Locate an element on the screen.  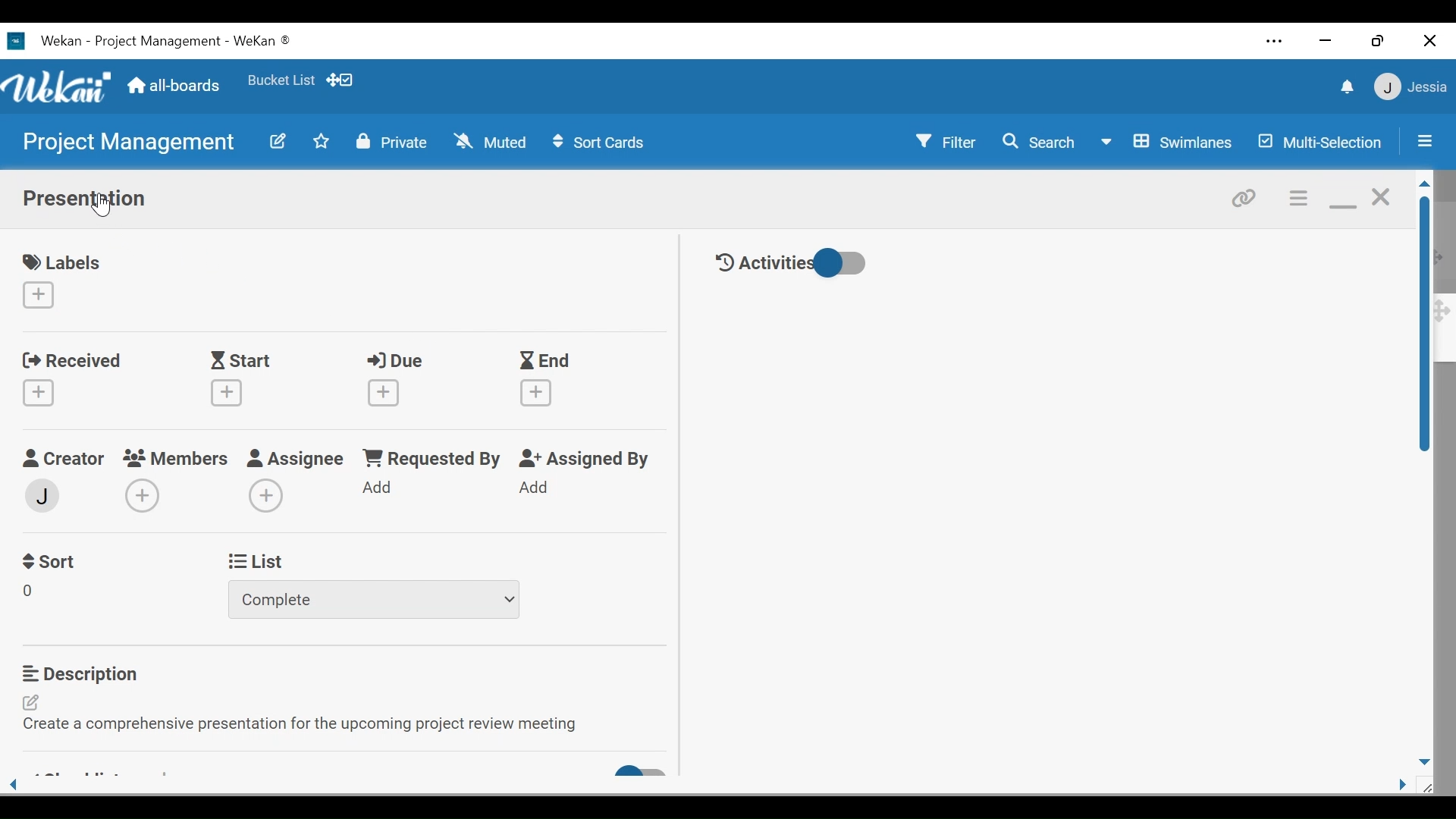
Activities is located at coordinates (761, 264).